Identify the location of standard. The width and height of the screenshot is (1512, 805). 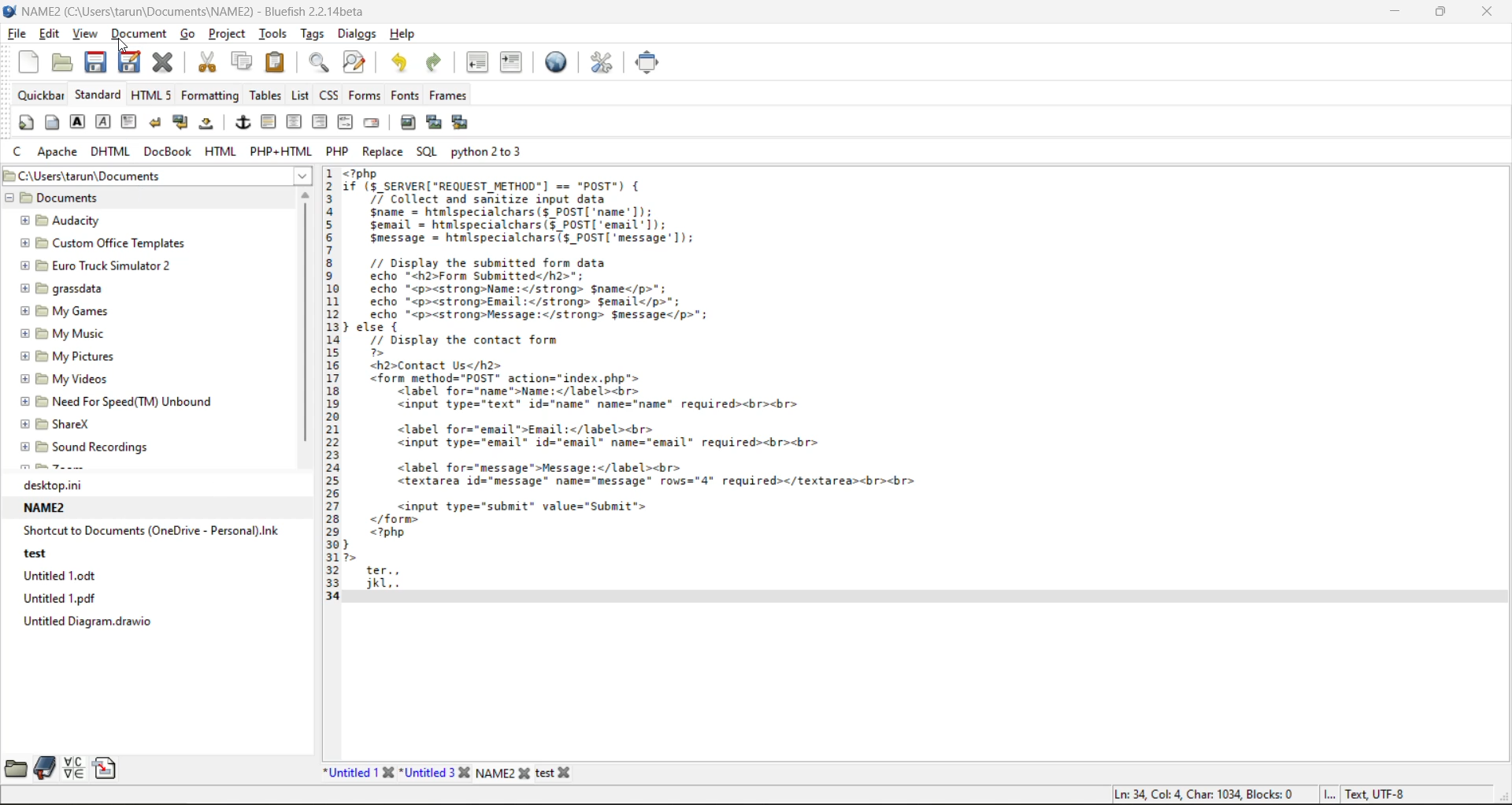
(100, 94).